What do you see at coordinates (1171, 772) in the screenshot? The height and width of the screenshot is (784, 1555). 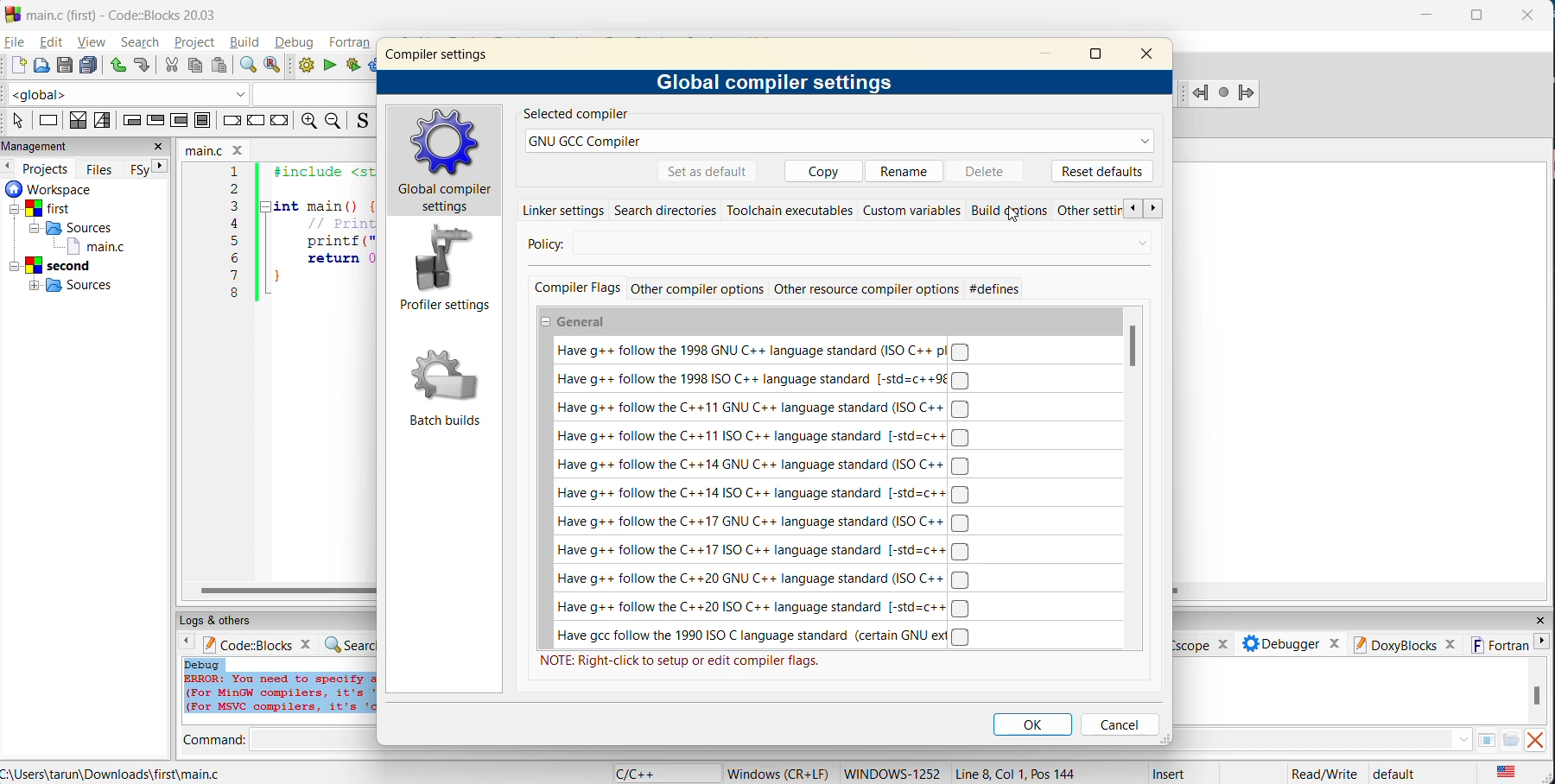 I see `Insert` at bounding box center [1171, 772].